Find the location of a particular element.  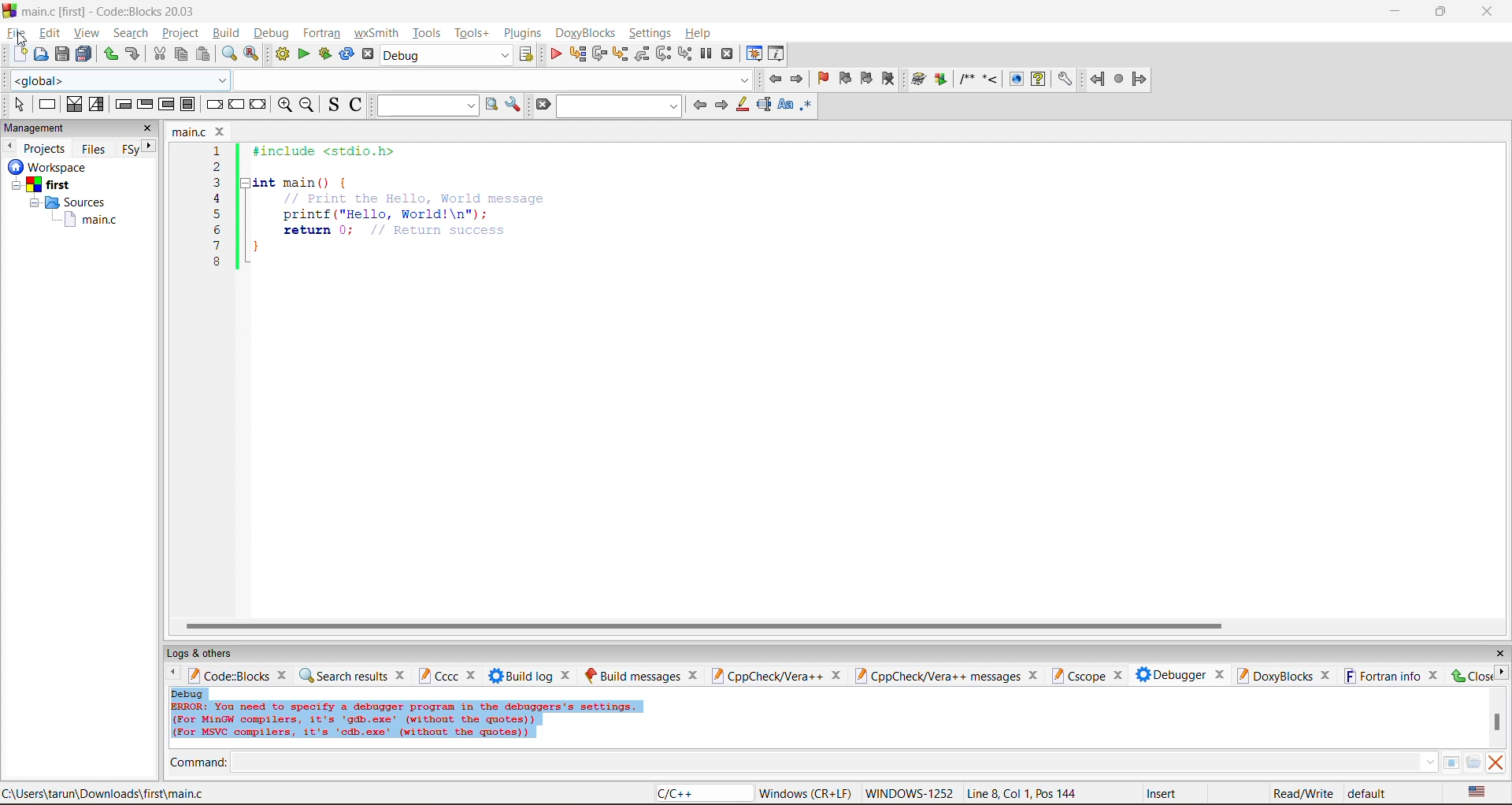

view is located at coordinates (88, 32).